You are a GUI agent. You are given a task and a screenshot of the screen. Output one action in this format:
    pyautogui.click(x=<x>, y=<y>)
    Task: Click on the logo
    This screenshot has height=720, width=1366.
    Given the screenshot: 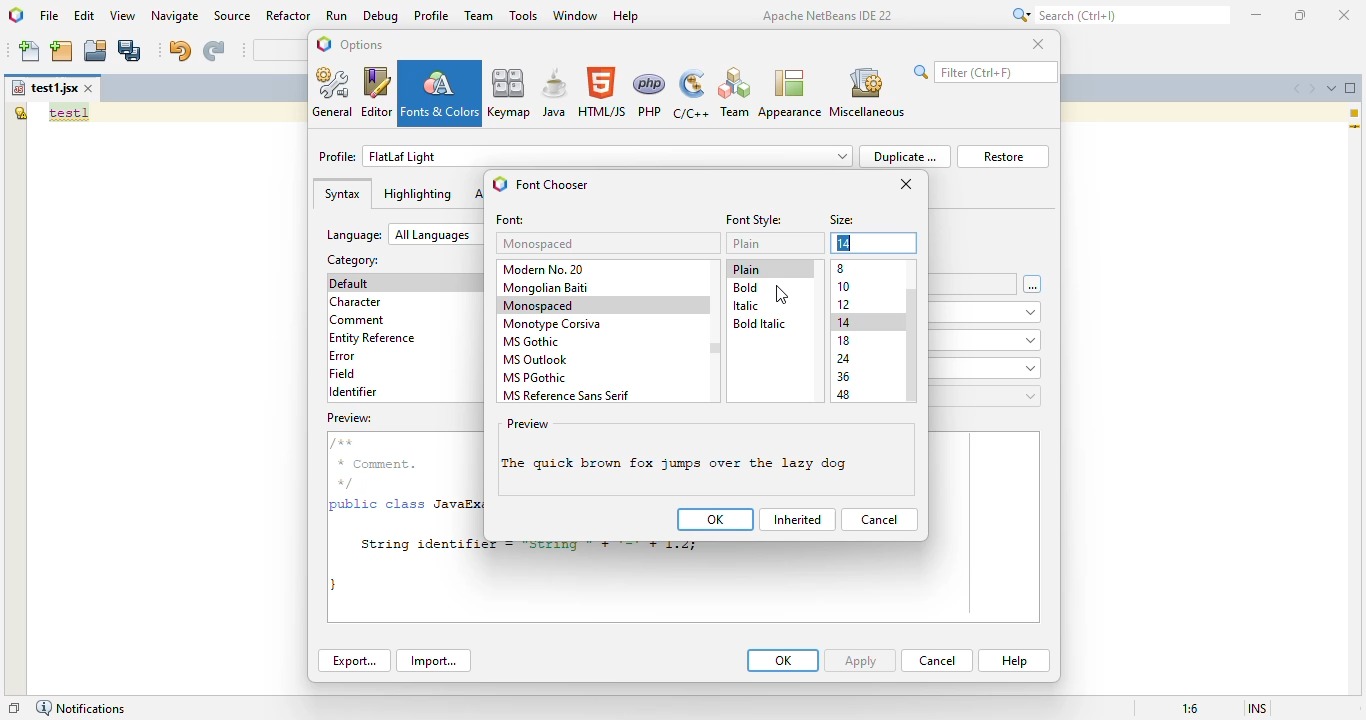 What is the action you would take?
    pyautogui.click(x=500, y=183)
    